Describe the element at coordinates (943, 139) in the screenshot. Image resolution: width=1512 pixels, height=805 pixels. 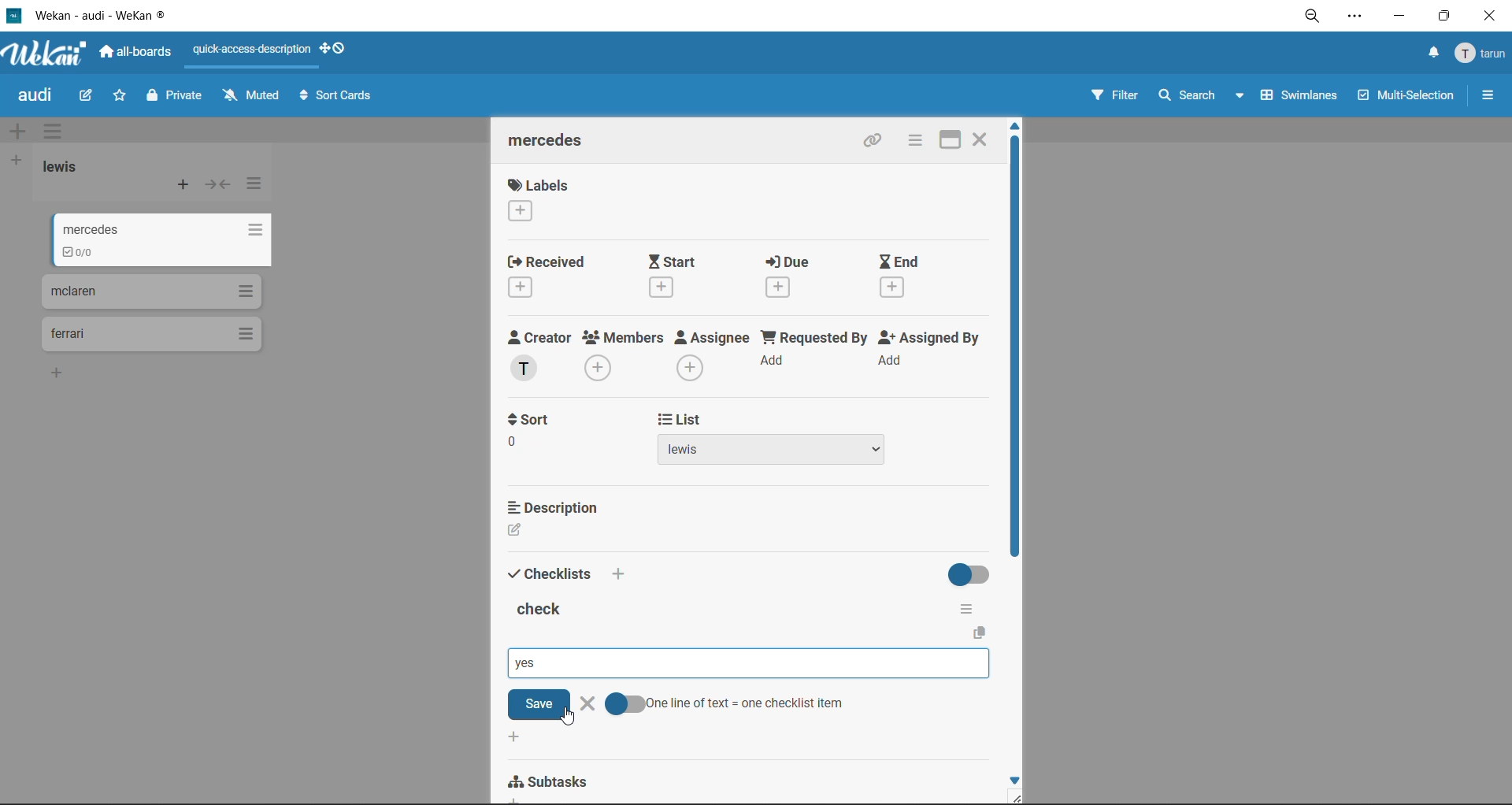
I see `maximize` at that location.